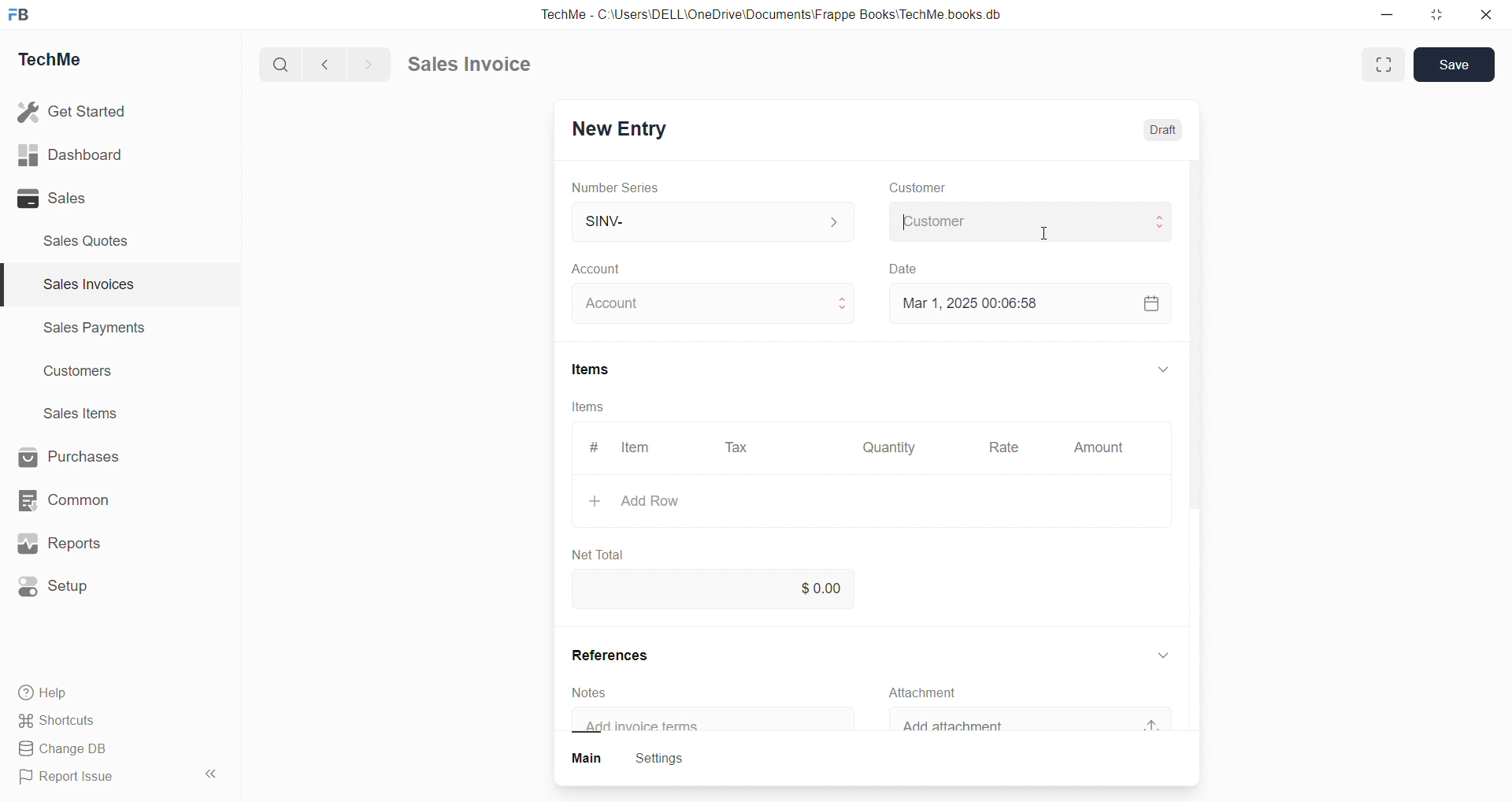  Describe the element at coordinates (739, 448) in the screenshot. I see `Tax` at that location.